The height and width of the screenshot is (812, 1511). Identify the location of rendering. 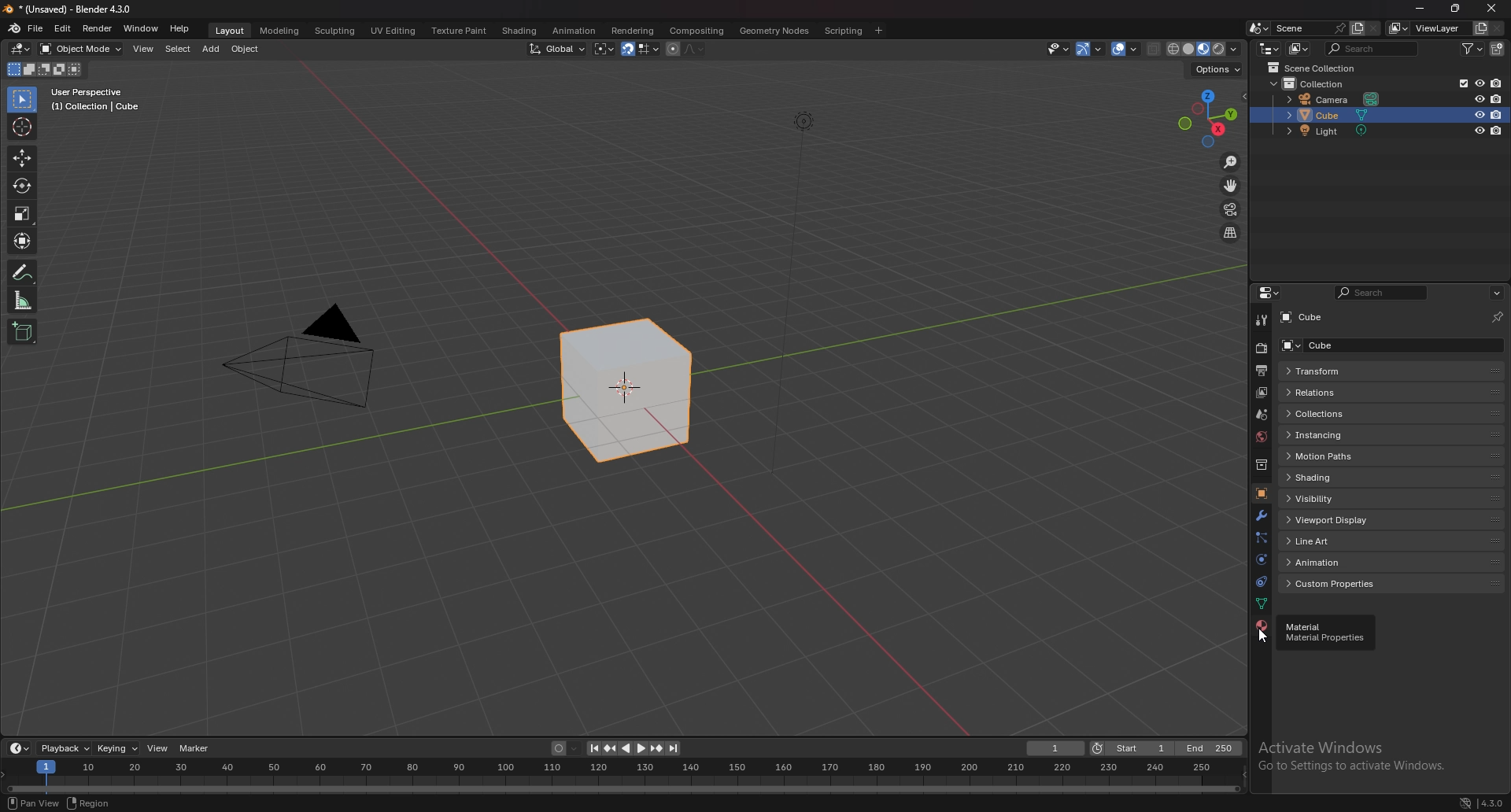
(631, 30).